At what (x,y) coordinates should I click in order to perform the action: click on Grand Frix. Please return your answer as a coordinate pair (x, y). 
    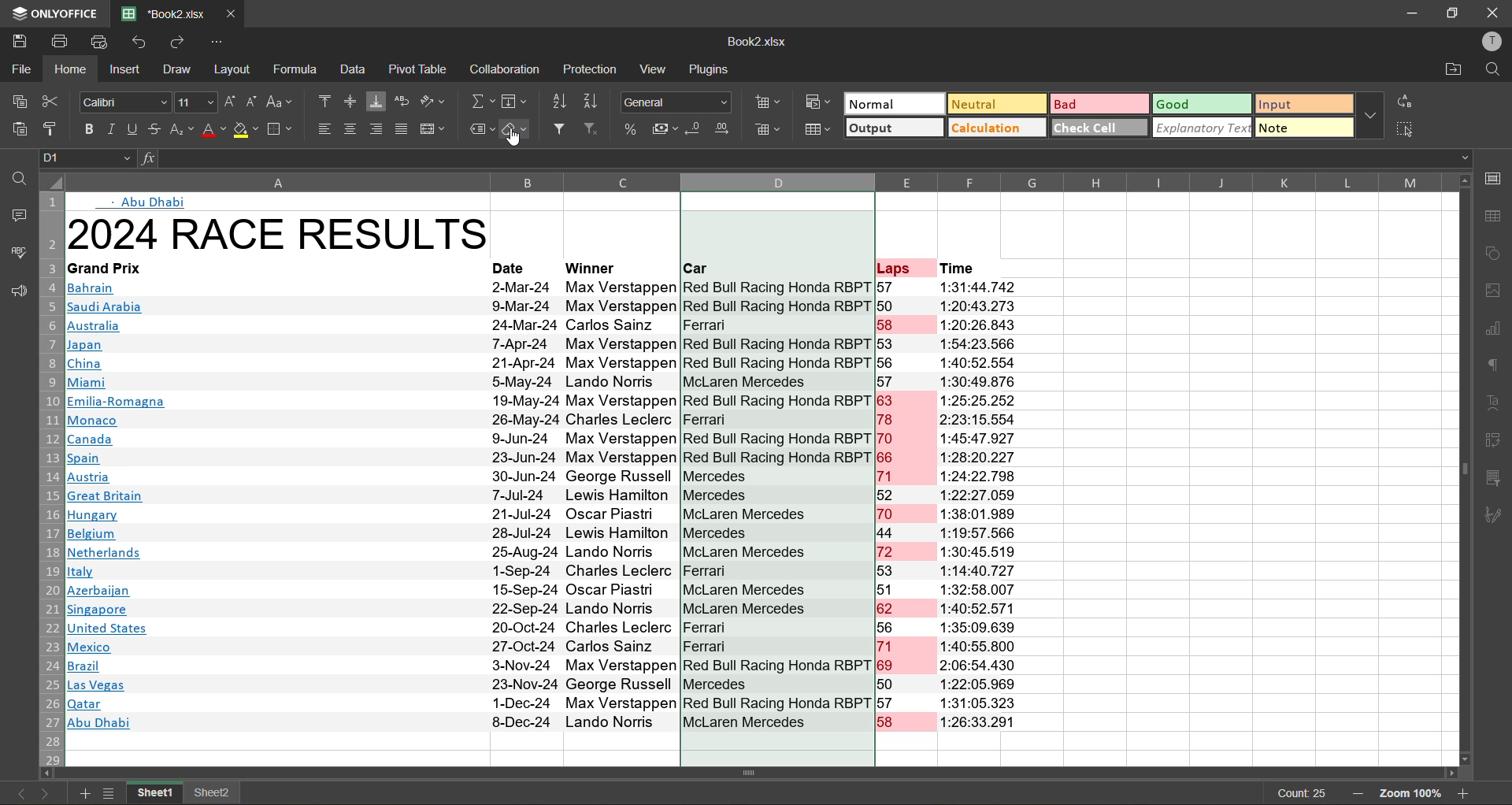
    Looking at the image, I should click on (113, 269).